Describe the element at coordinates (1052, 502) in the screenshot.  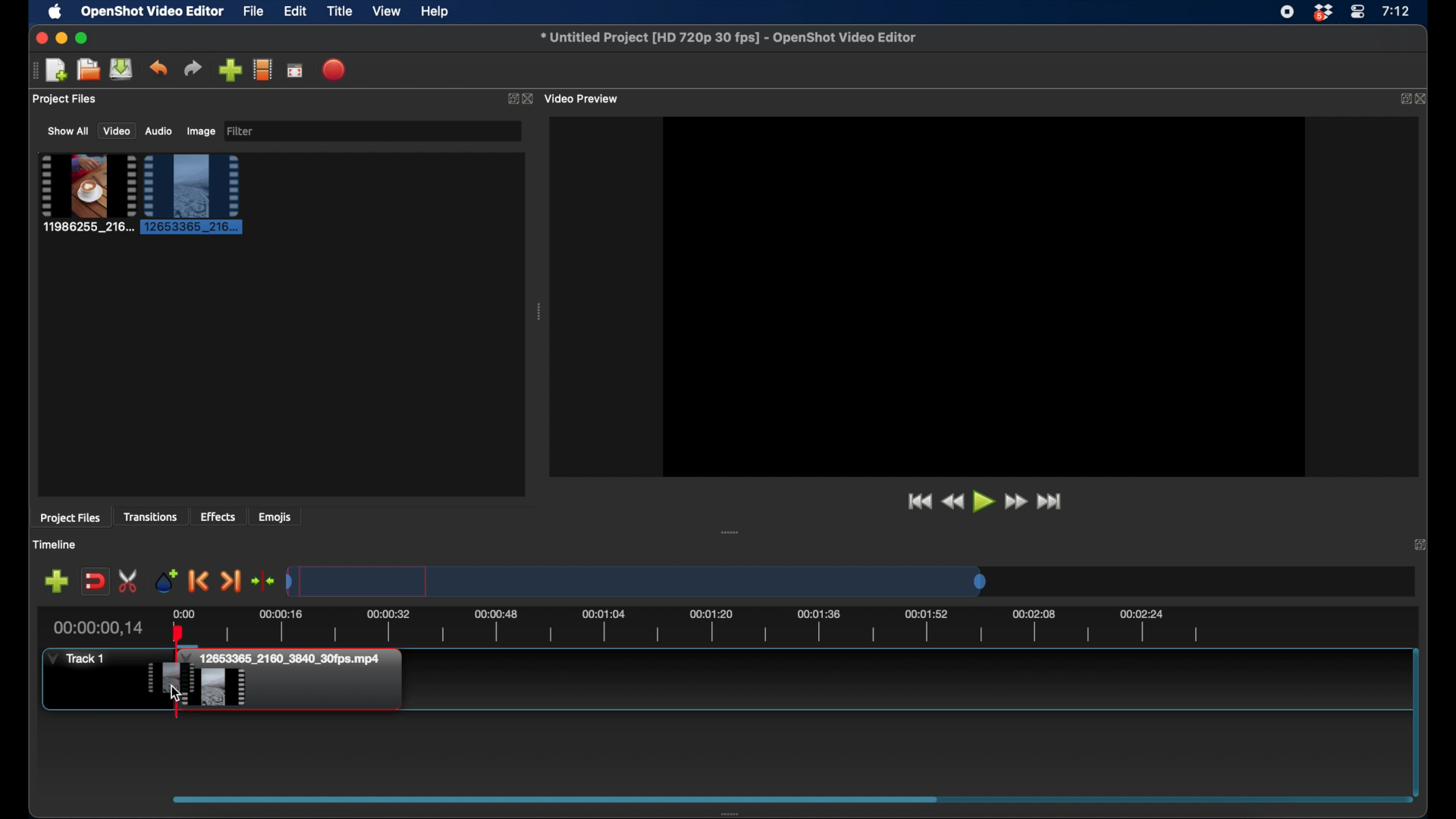
I see `jump to end` at that location.